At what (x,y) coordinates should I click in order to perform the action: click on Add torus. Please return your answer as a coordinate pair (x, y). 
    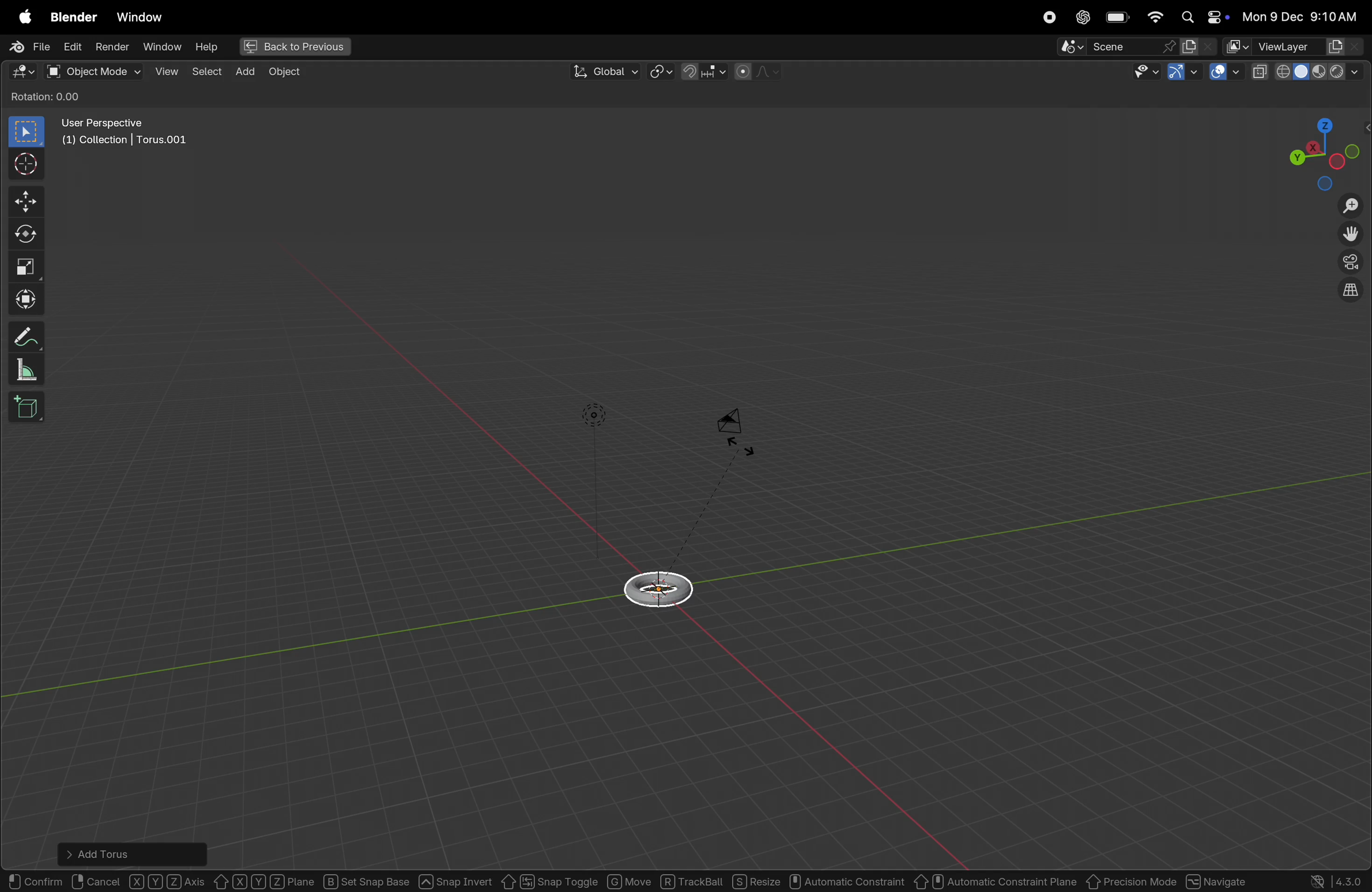
    Looking at the image, I should click on (110, 851).